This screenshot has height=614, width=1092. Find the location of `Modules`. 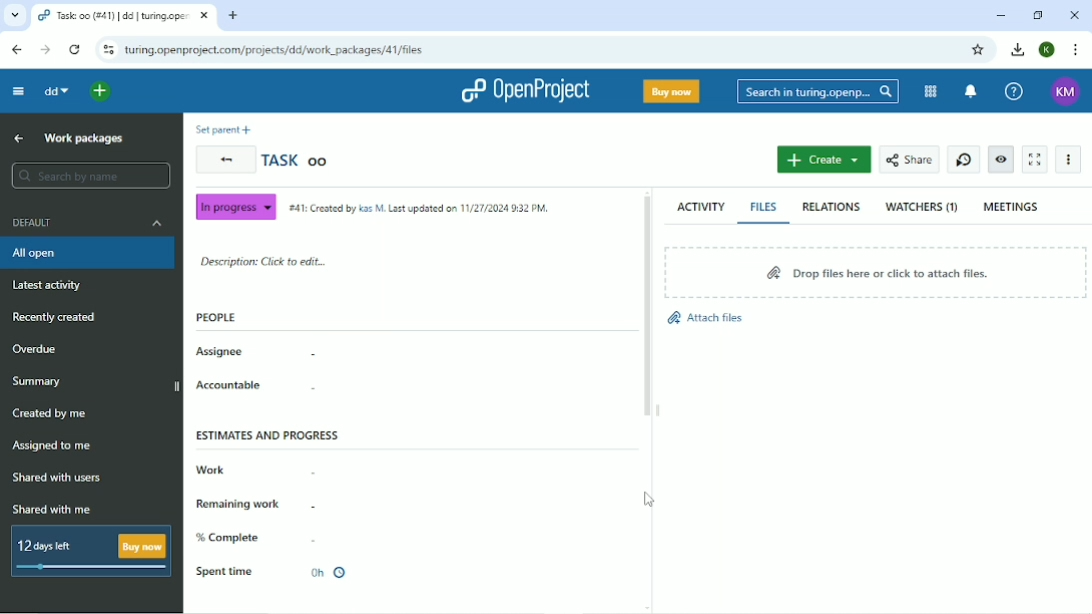

Modules is located at coordinates (930, 91).